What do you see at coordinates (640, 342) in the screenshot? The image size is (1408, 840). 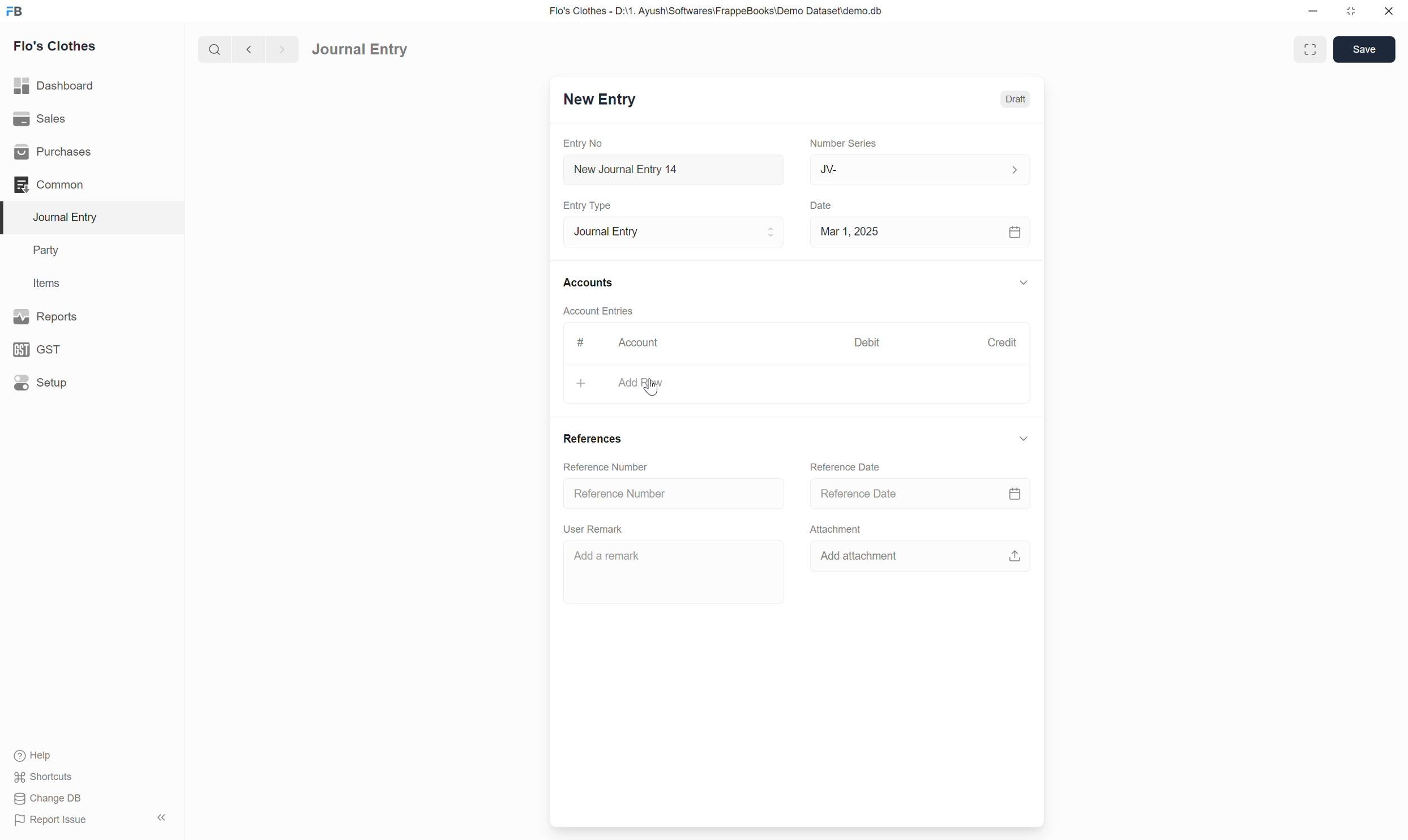 I see `Account` at bounding box center [640, 342].